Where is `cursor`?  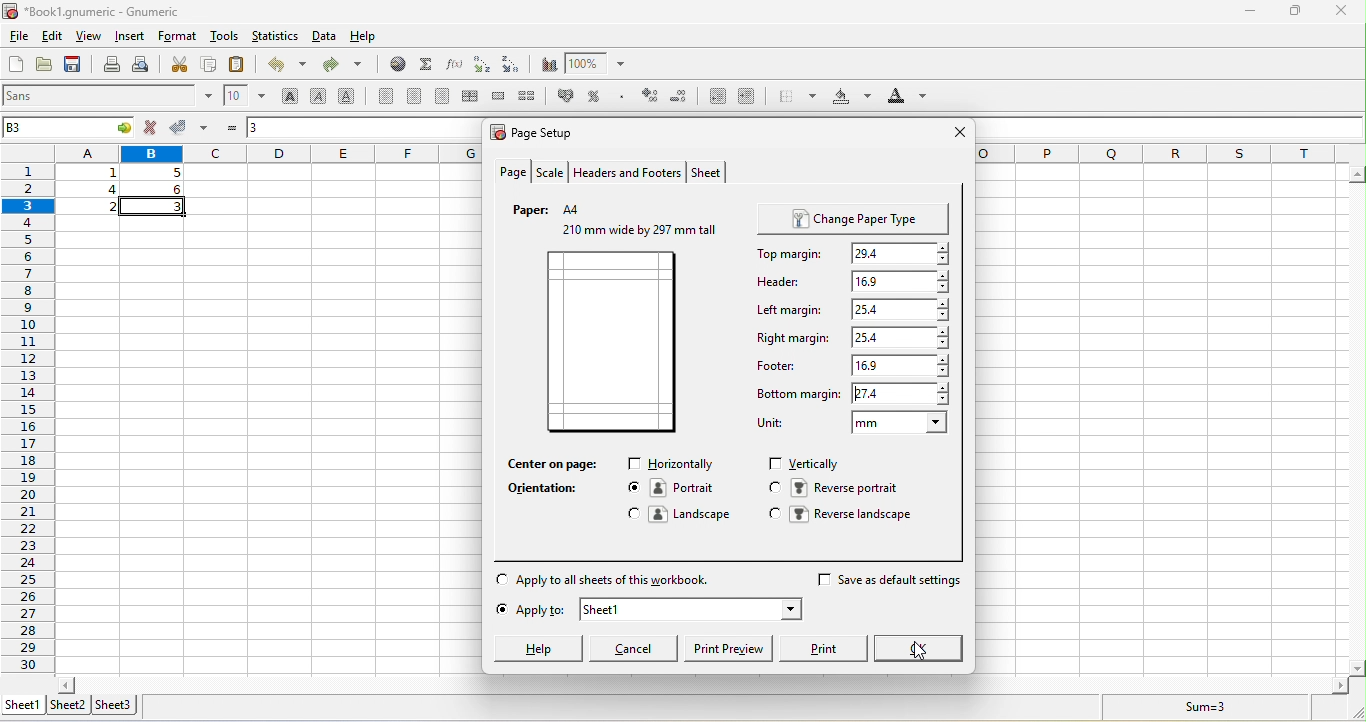
cursor is located at coordinates (918, 654).